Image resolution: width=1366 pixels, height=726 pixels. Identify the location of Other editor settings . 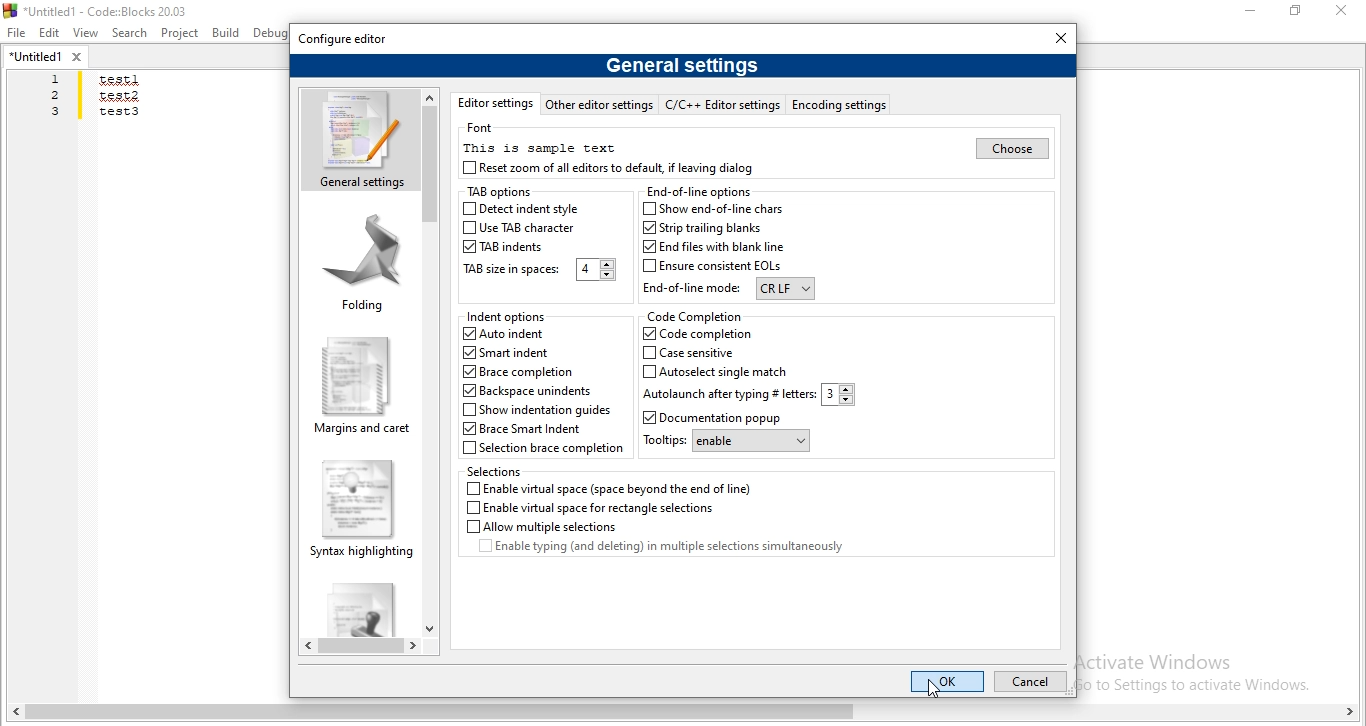
(599, 104).